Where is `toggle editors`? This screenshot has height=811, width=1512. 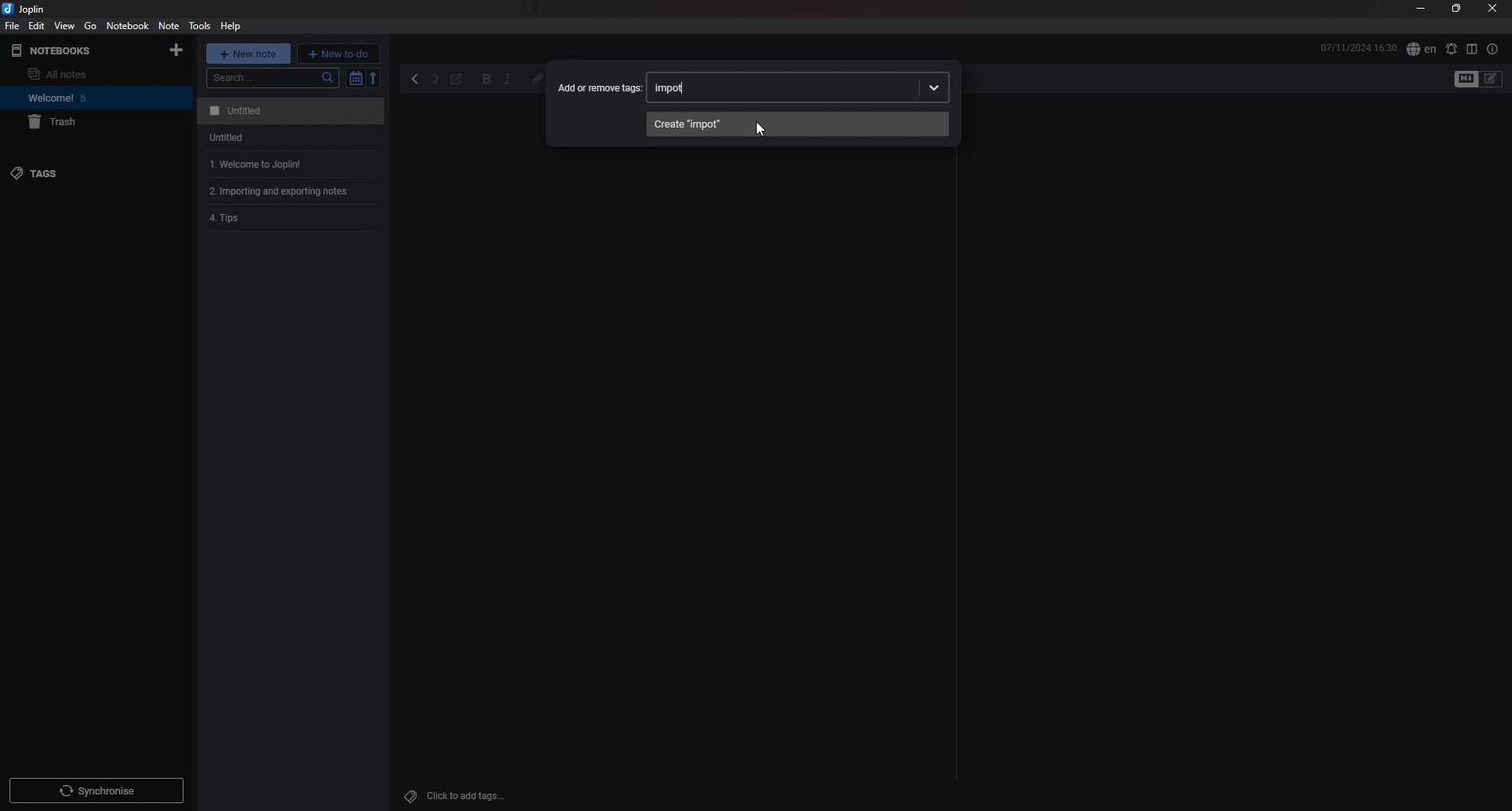 toggle editors is located at coordinates (1492, 79).